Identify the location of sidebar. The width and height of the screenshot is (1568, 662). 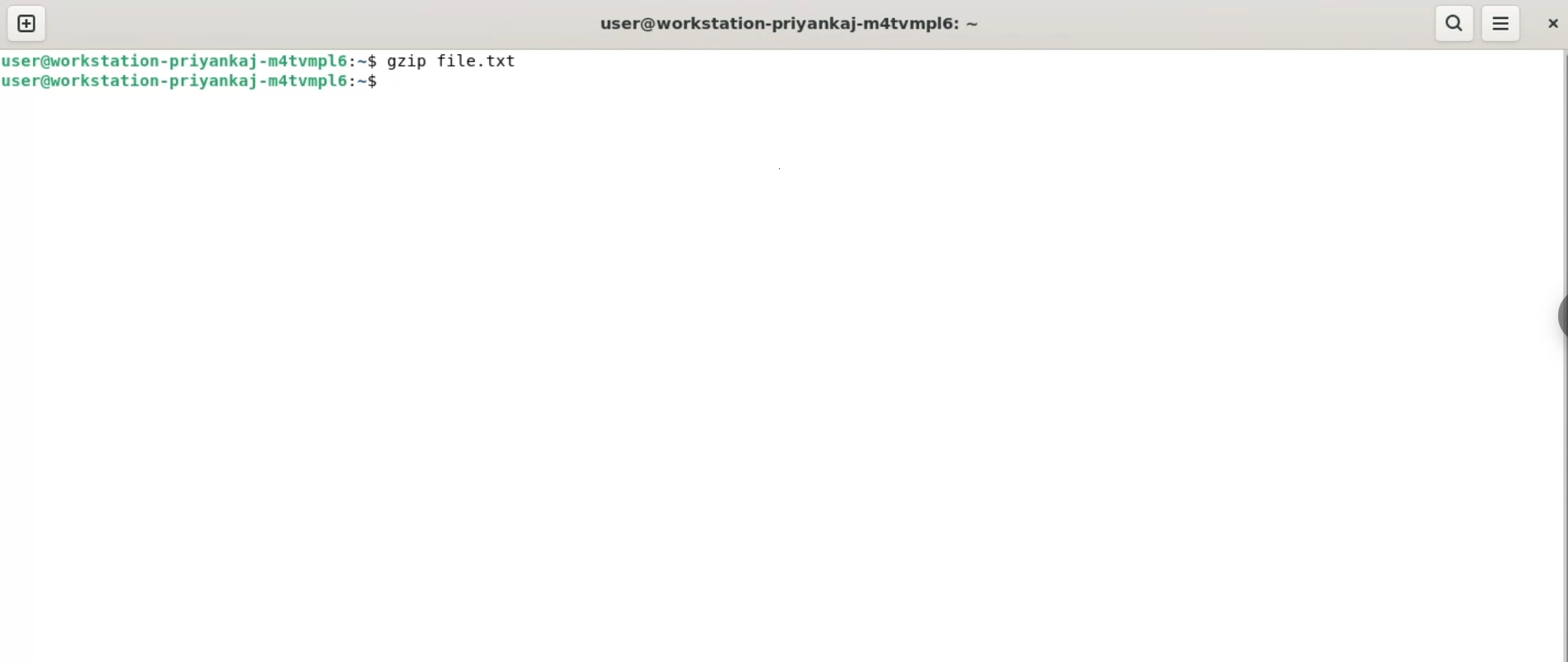
(1560, 313).